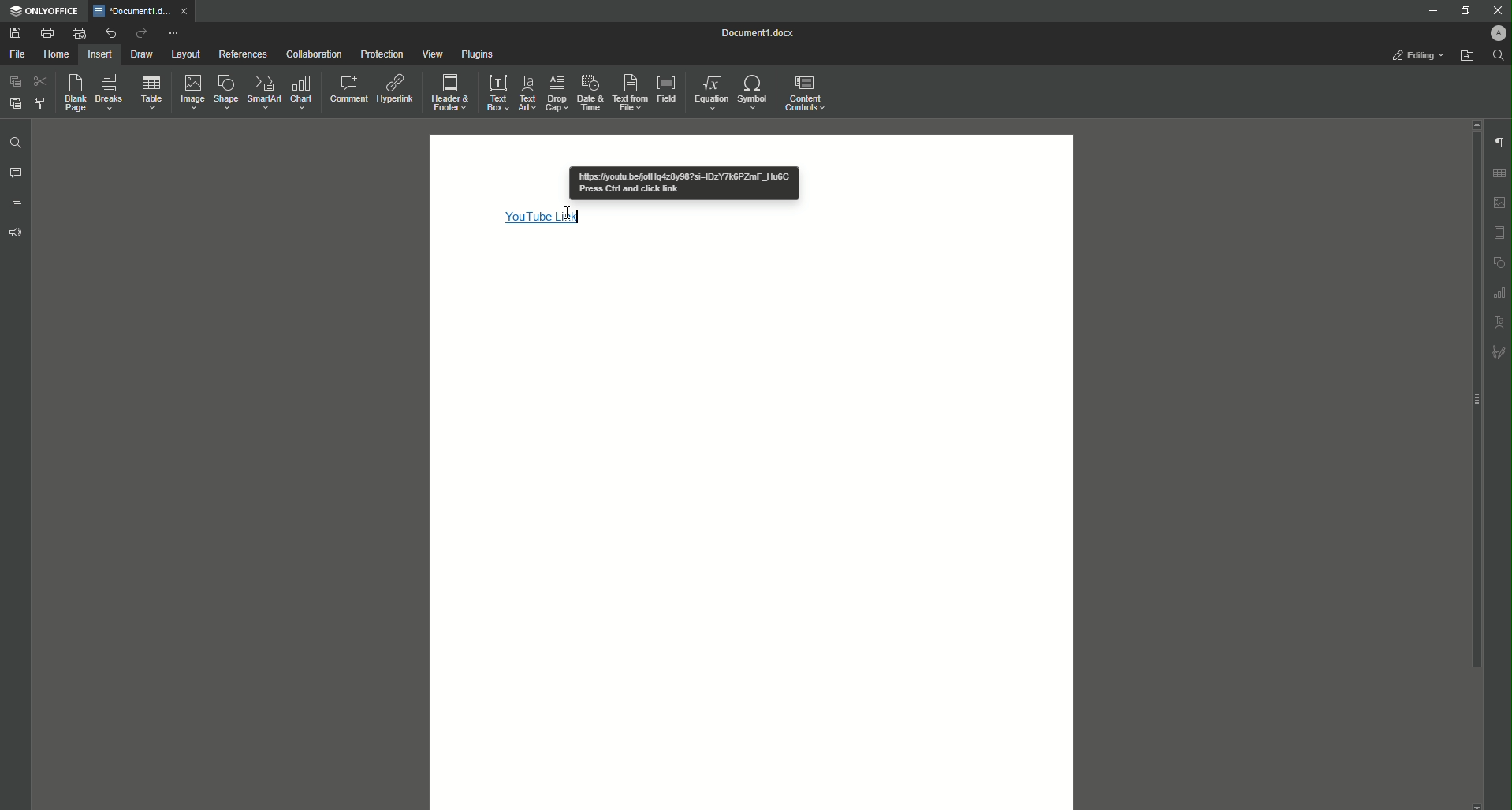 The image size is (1512, 810). What do you see at coordinates (433, 54) in the screenshot?
I see `View` at bounding box center [433, 54].